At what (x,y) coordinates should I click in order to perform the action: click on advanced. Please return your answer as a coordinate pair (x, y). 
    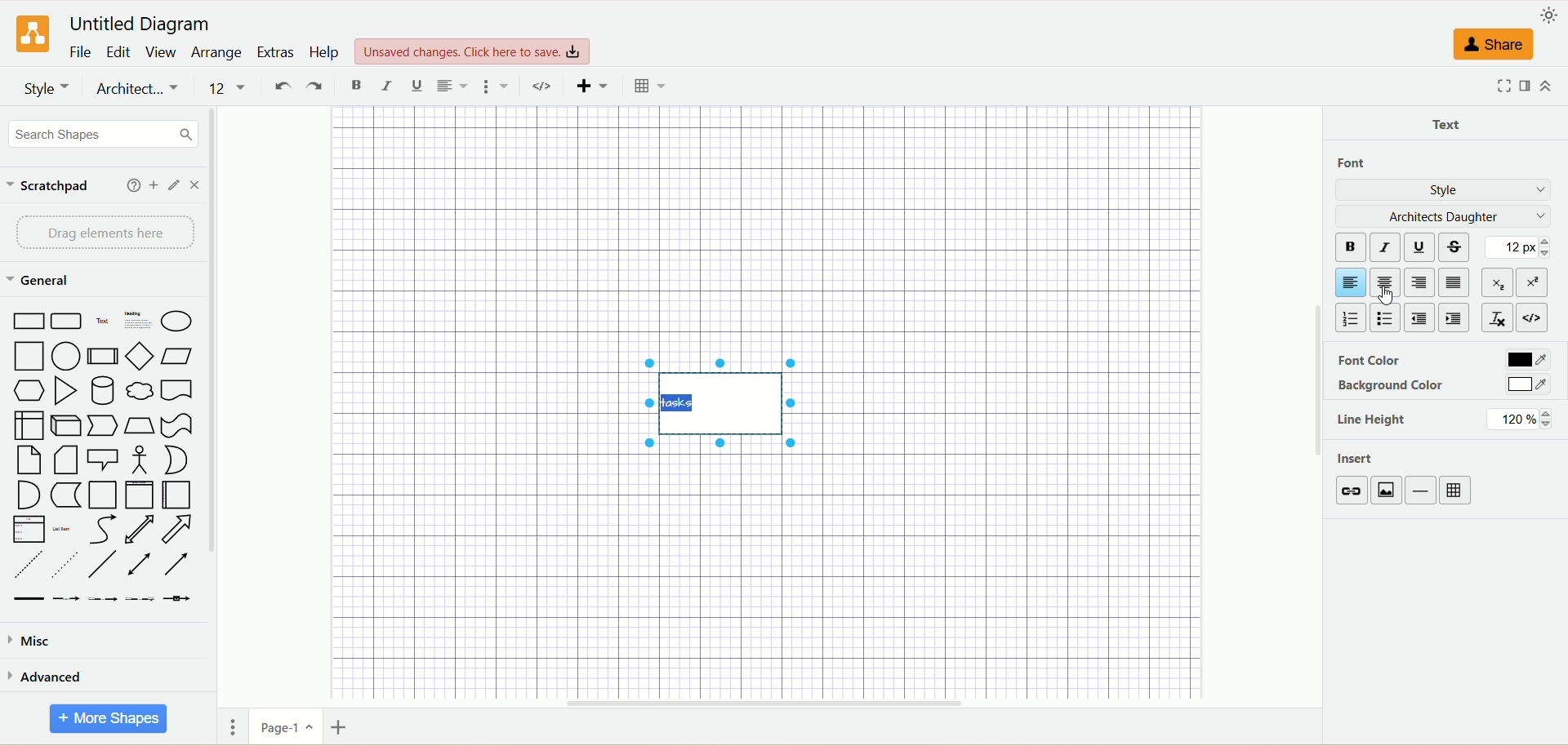
    Looking at the image, I should click on (47, 680).